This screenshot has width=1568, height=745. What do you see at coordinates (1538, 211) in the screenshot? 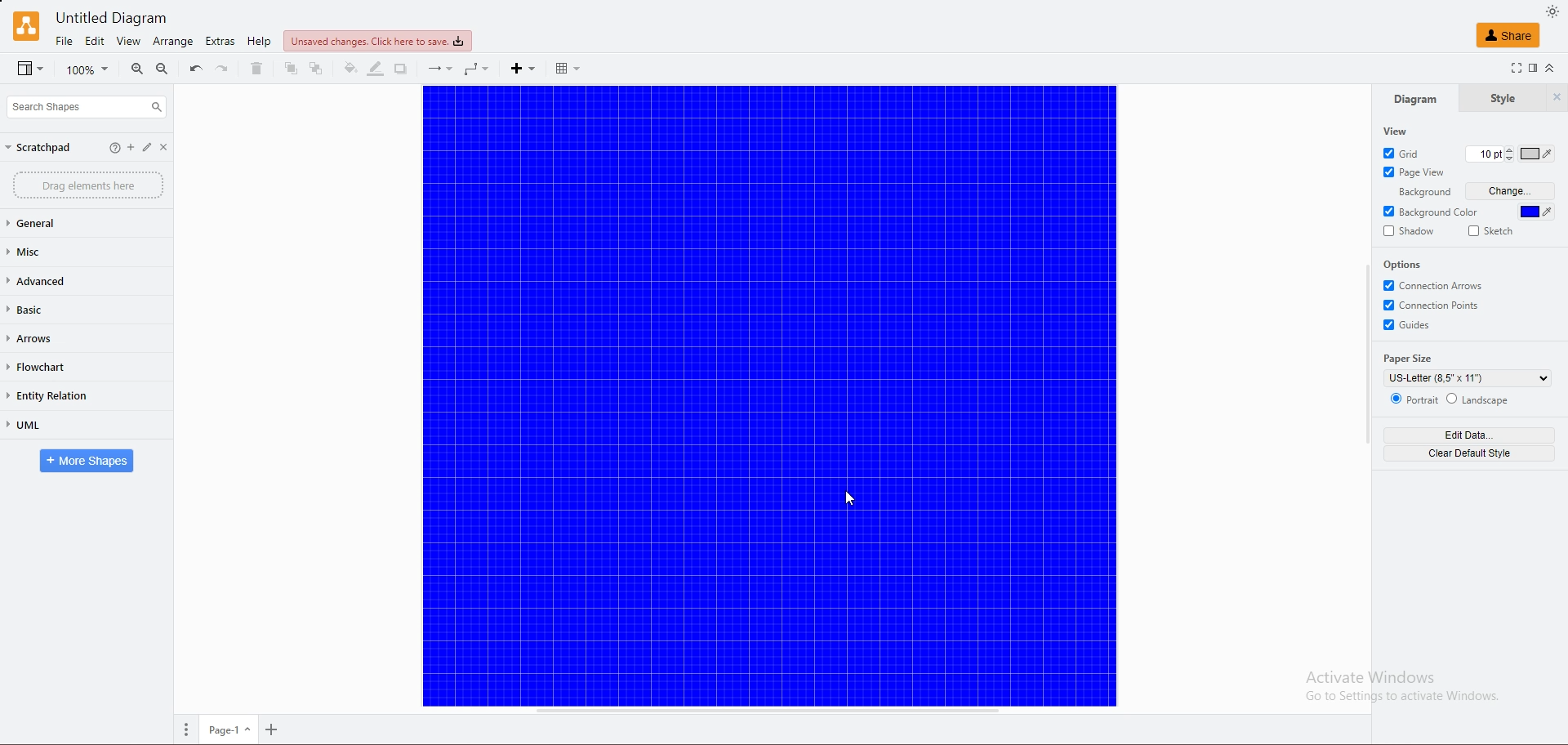
I see `color selector` at bounding box center [1538, 211].